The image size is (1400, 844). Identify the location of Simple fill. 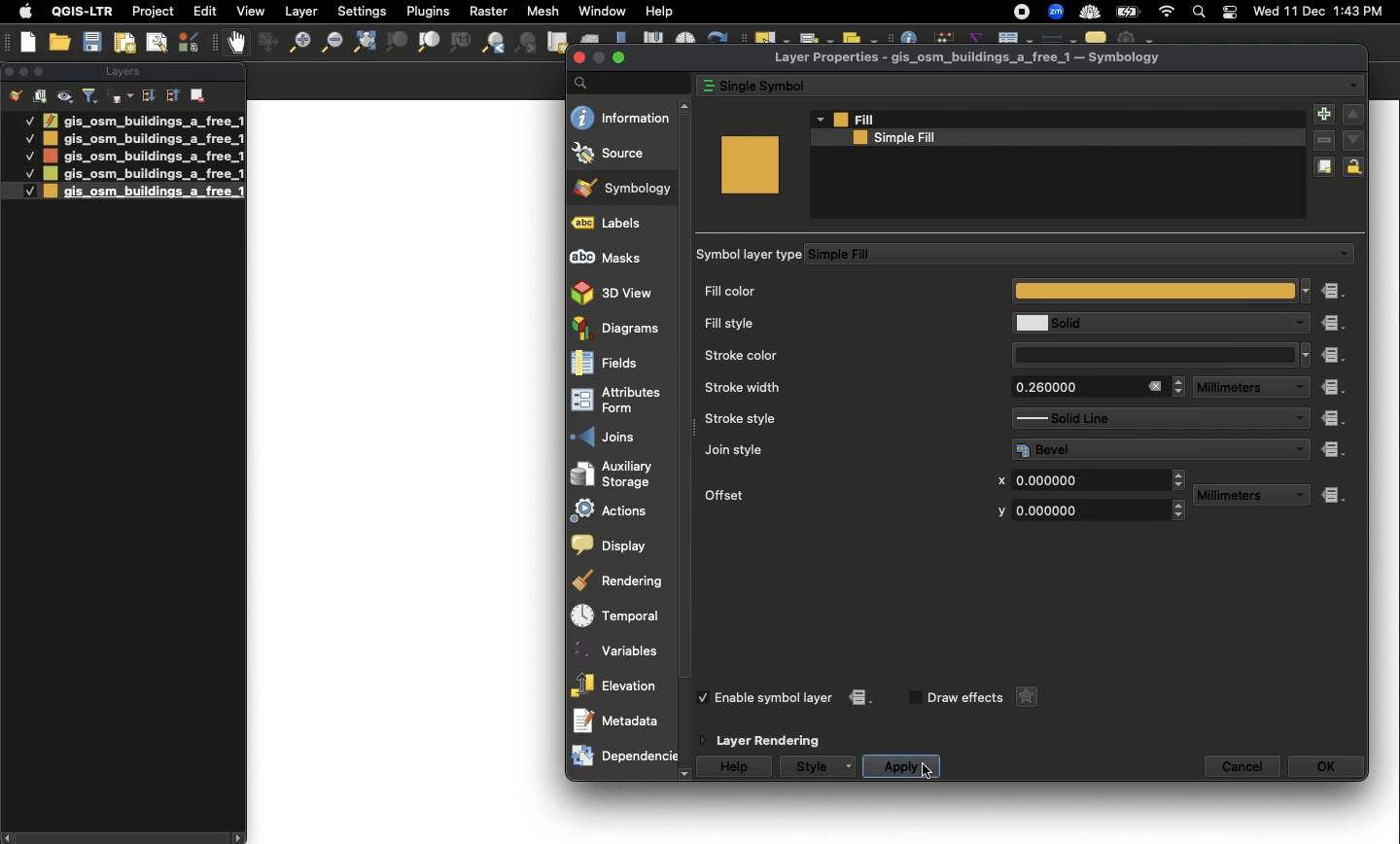
(1044, 138).